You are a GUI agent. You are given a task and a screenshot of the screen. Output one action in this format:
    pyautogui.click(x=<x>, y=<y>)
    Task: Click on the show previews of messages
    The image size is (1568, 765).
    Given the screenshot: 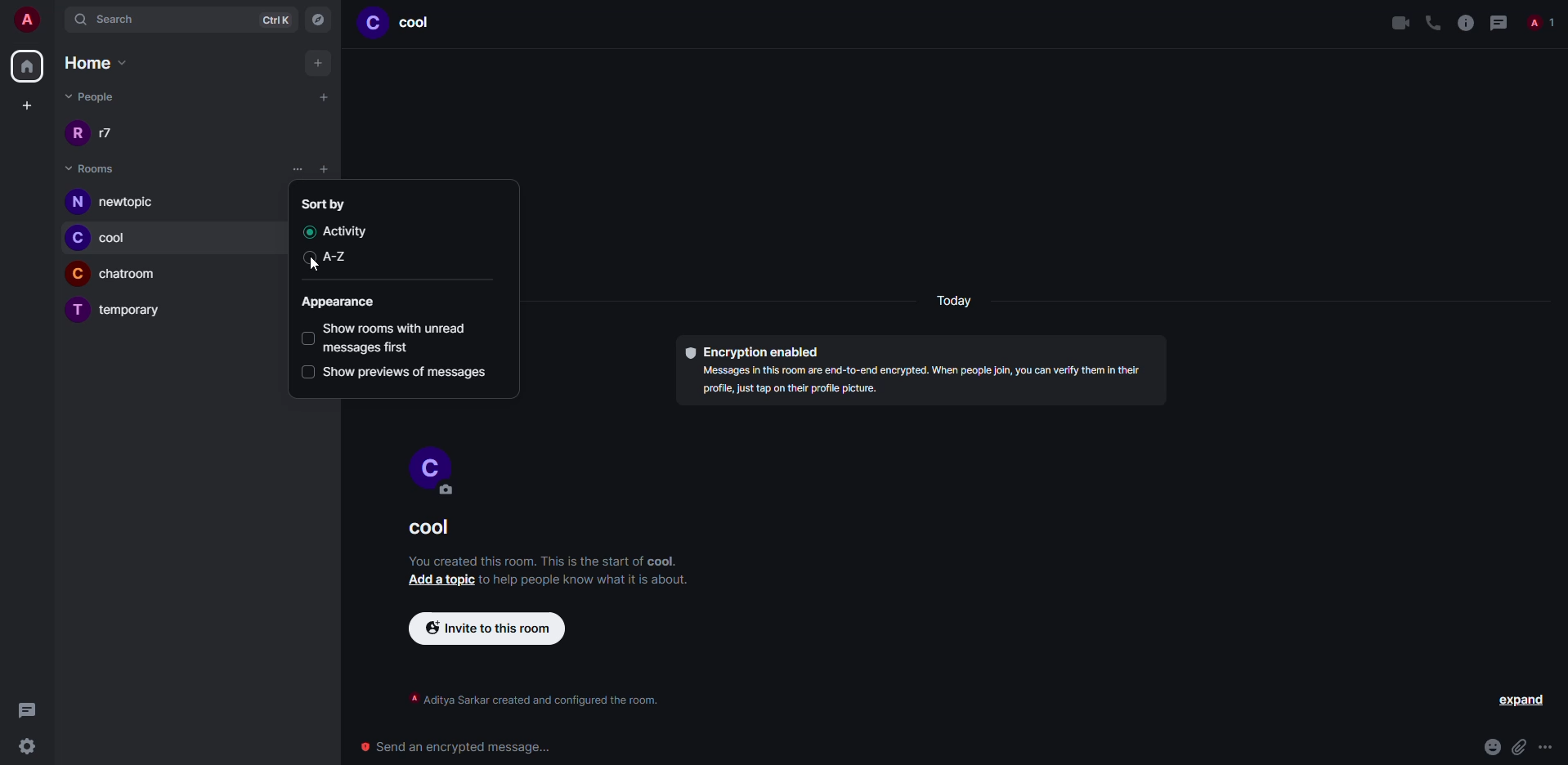 What is the action you would take?
    pyautogui.click(x=405, y=371)
    